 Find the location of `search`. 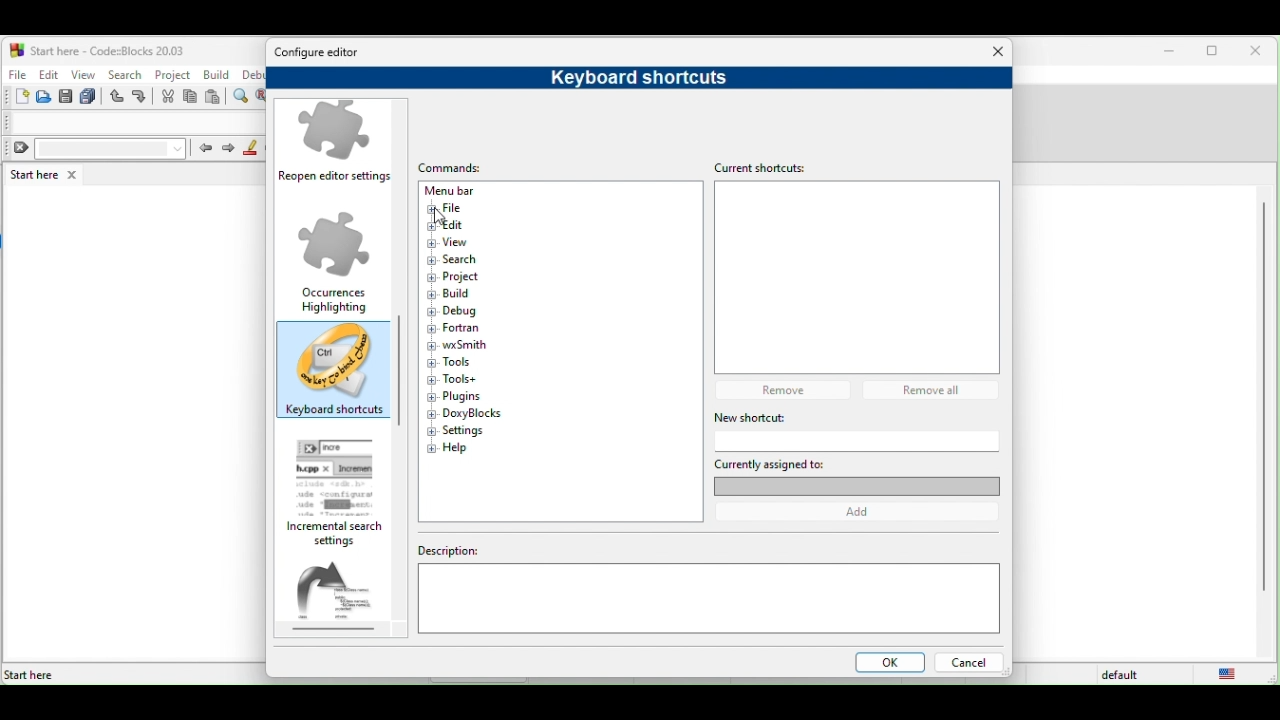

search is located at coordinates (124, 74).